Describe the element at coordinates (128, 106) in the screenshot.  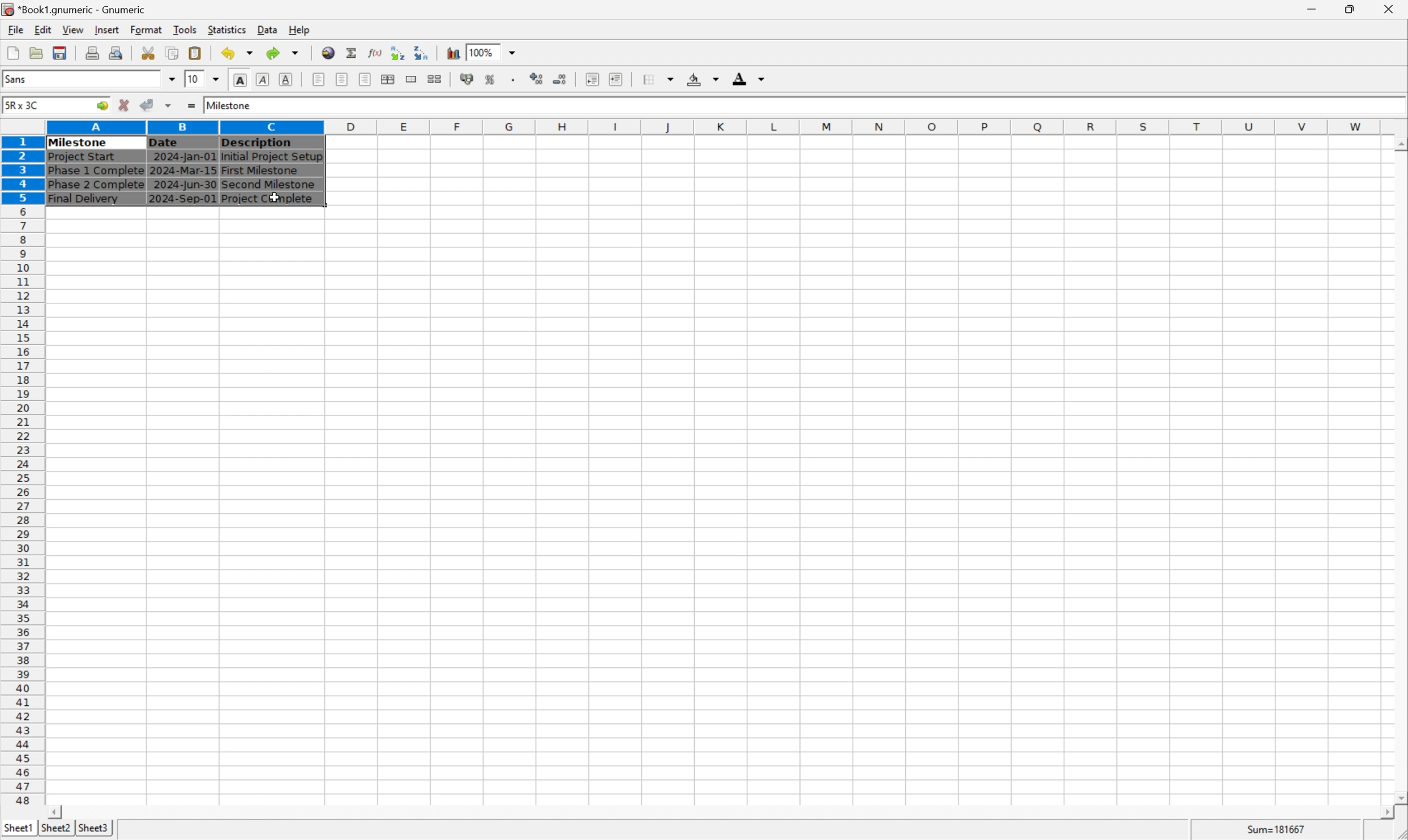
I see `cancel changes` at that location.